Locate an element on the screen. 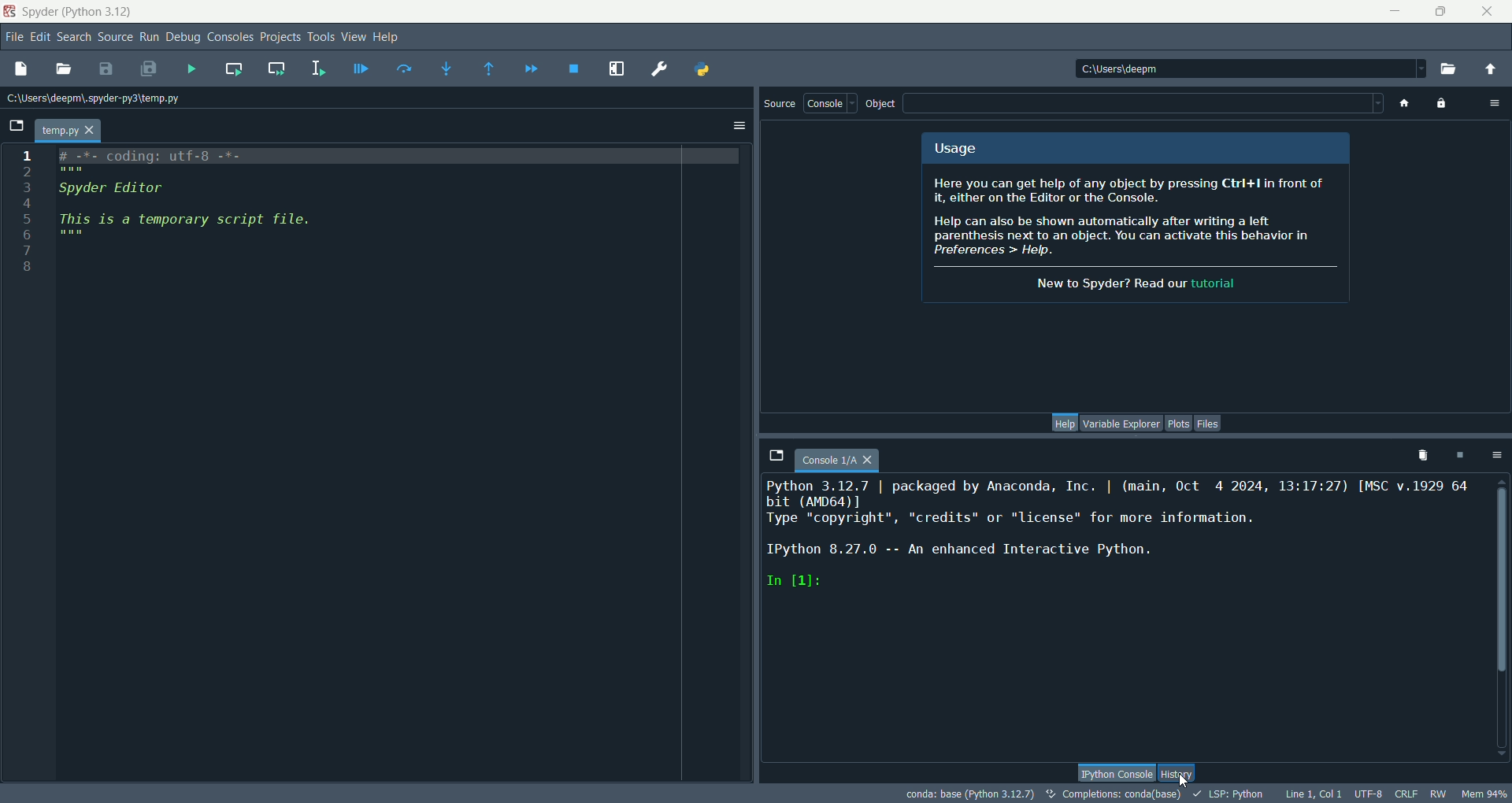 Image resolution: width=1512 pixels, height=803 pixels. step into function is located at coordinates (448, 68).